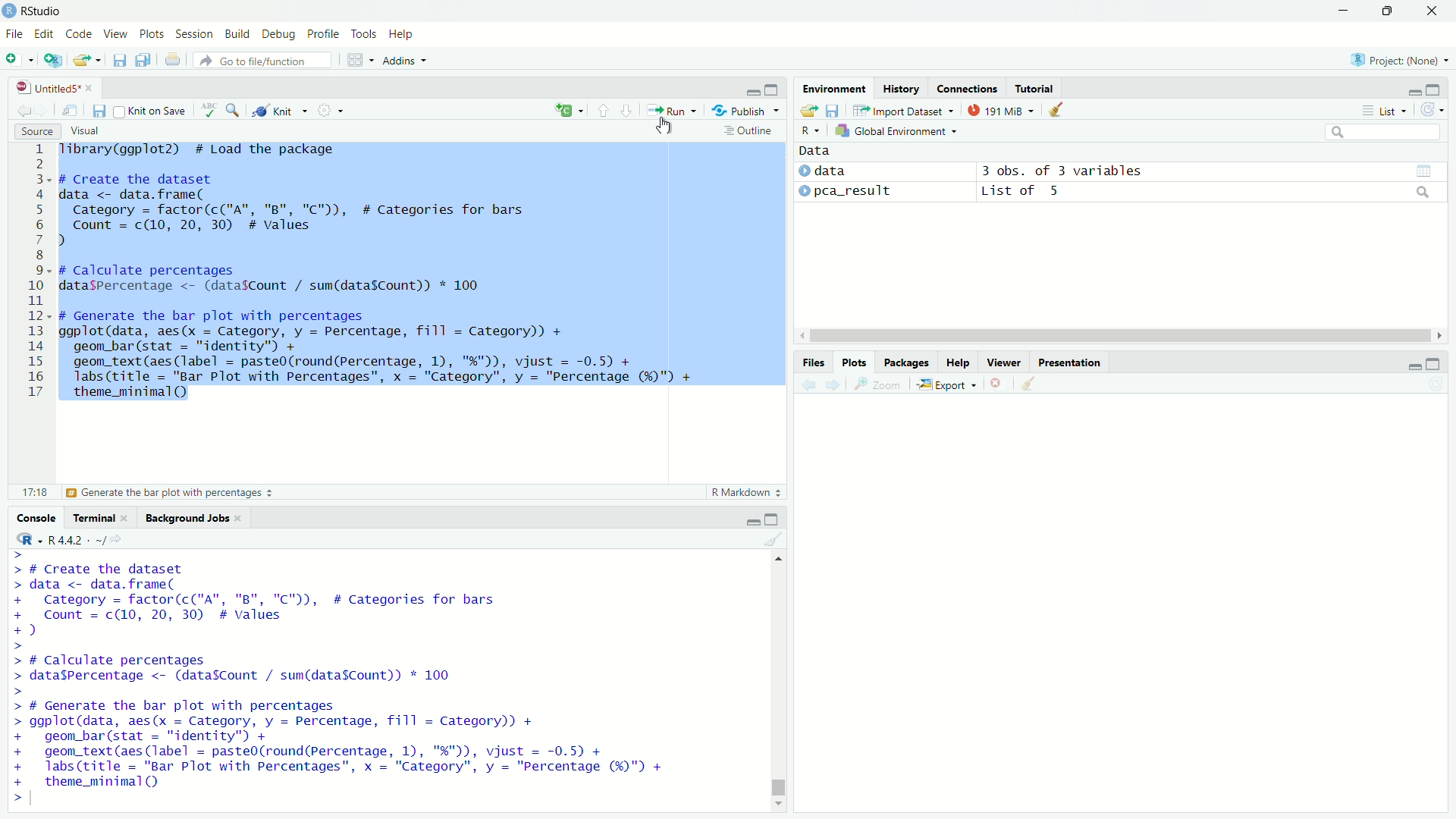 This screenshot has height=819, width=1456. I want to click on Debug, so click(282, 35).